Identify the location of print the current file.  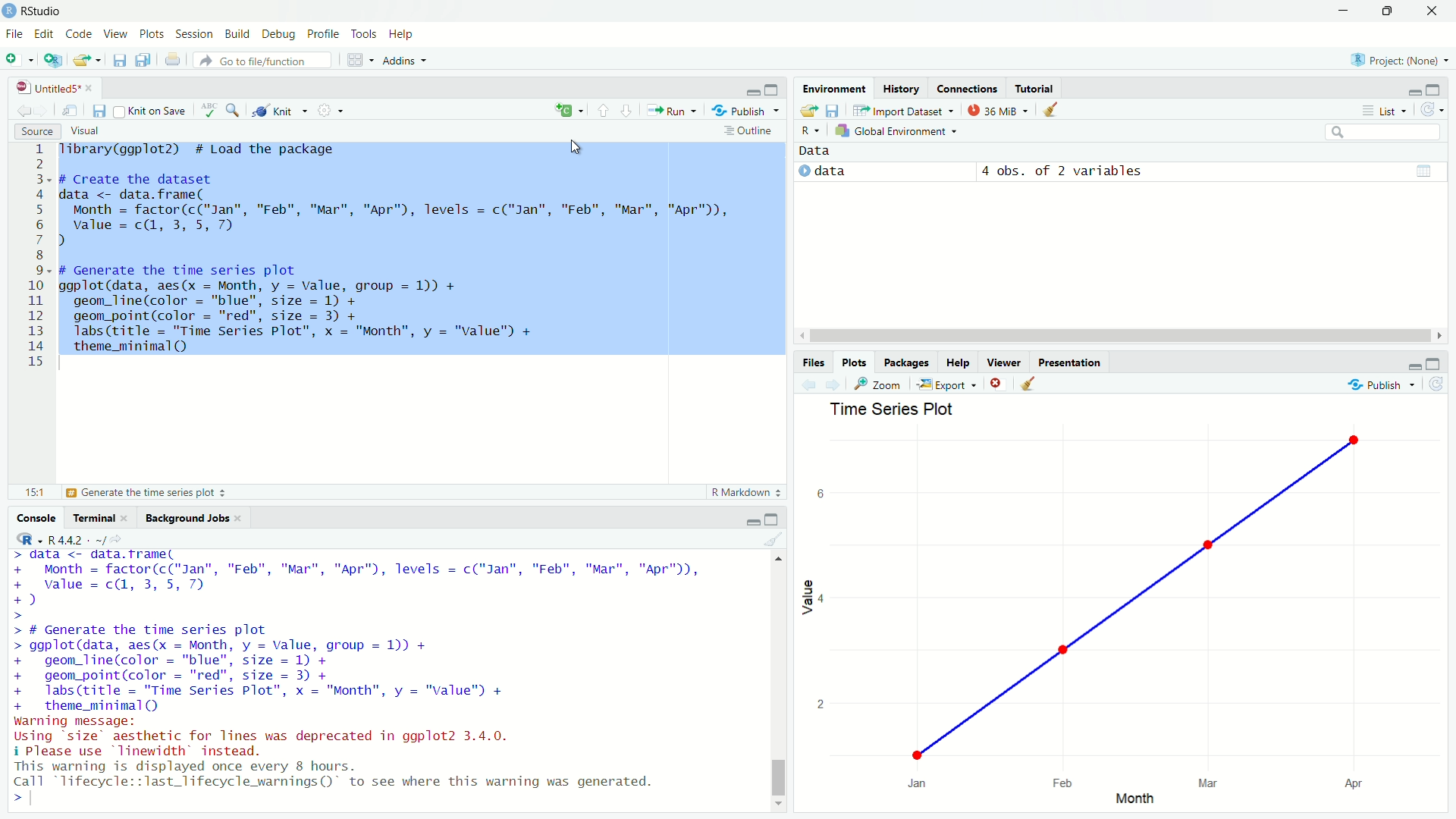
(171, 59).